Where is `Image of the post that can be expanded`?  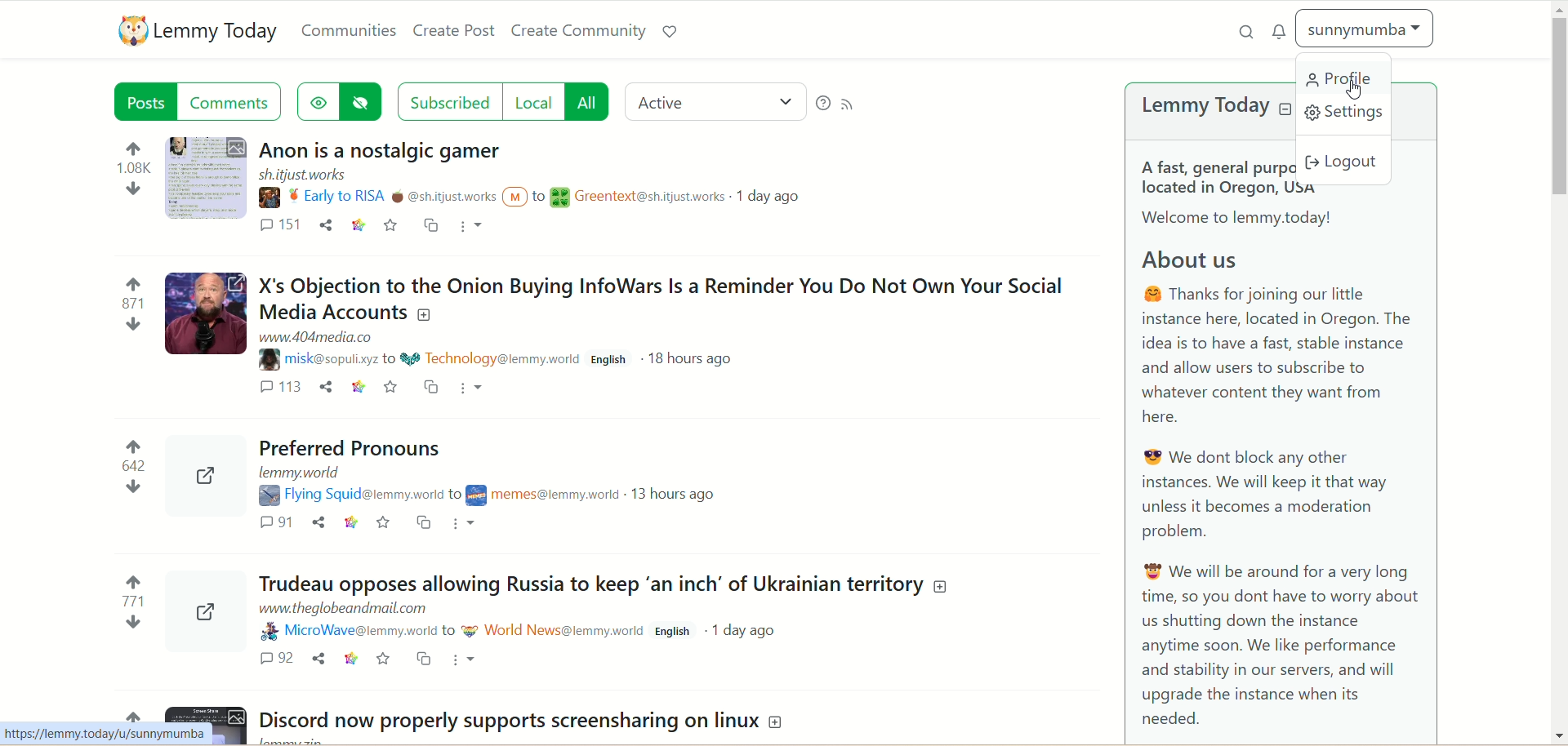 Image of the post that can be expanded is located at coordinates (207, 725).